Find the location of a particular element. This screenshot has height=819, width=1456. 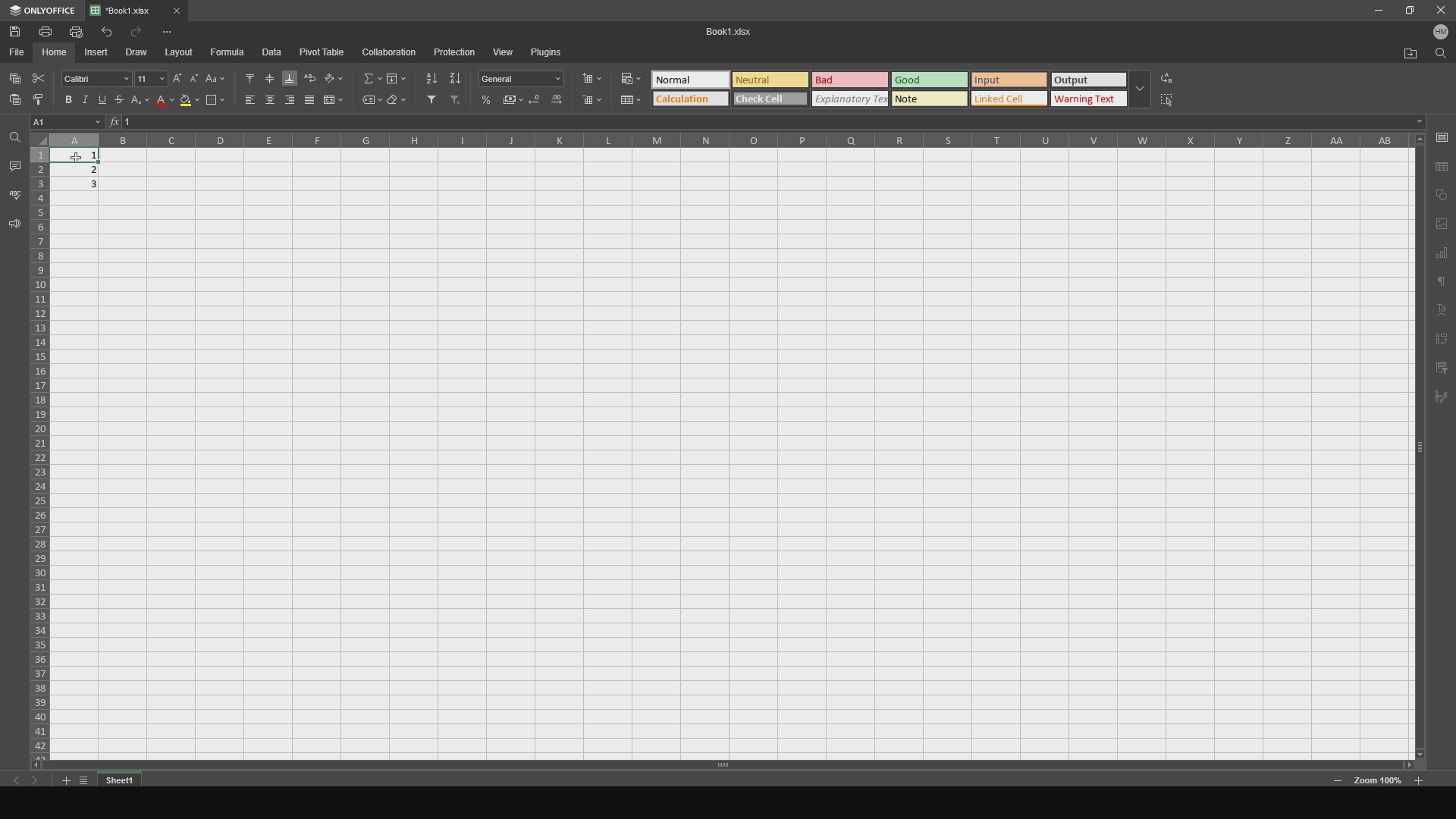

 is located at coordinates (631, 99).